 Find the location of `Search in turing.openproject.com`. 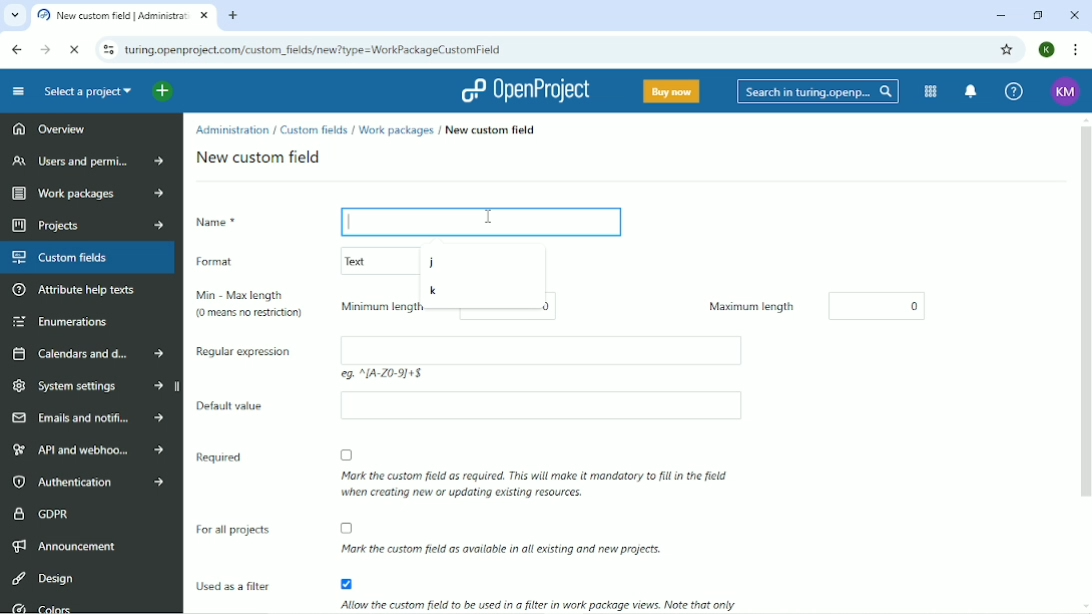

Search in turing.openproject.com is located at coordinates (816, 91).